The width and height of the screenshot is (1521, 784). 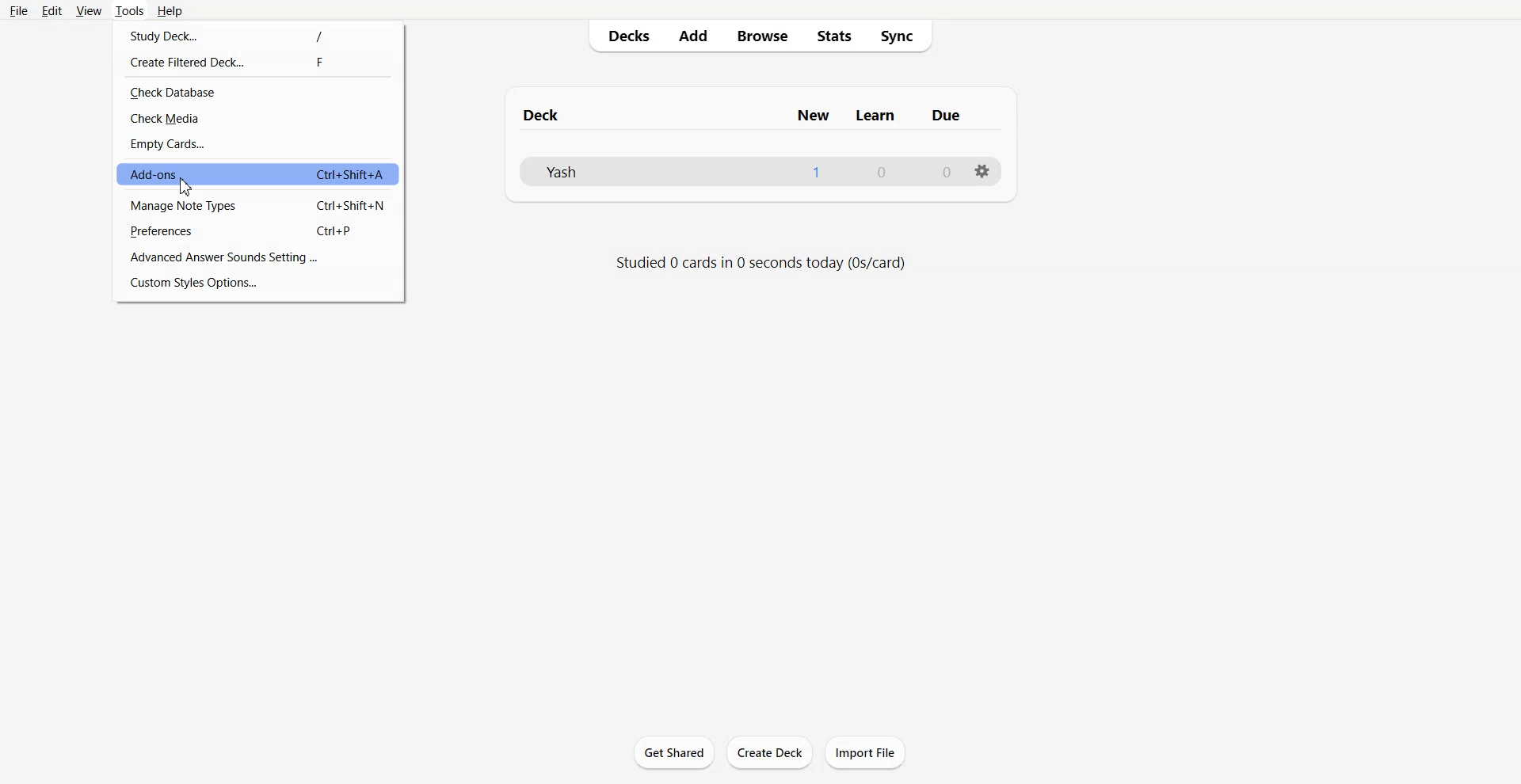 I want to click on Add, so click(x=694, y=36).